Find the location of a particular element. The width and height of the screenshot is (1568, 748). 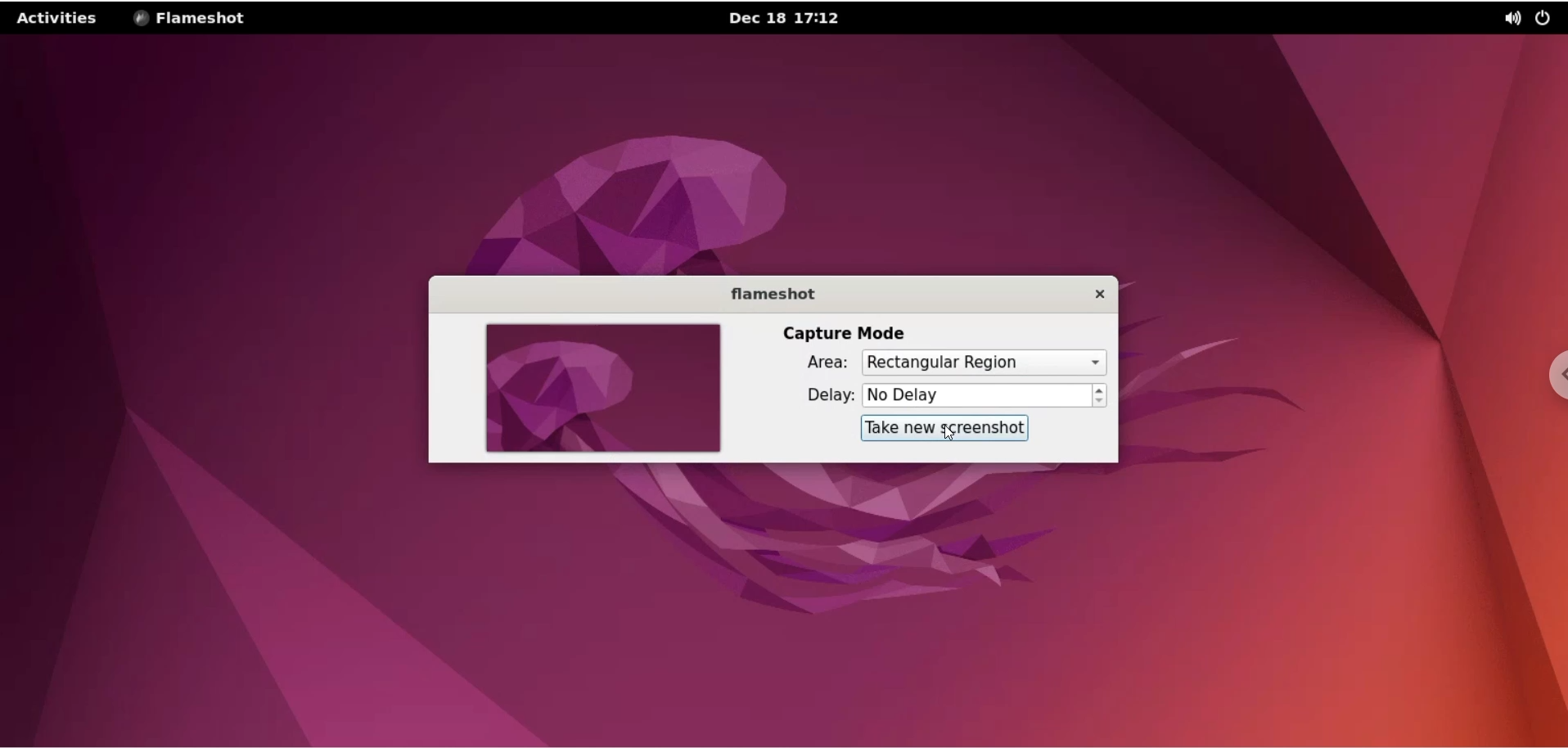

sound setting is located at coordinates (1505, 18).